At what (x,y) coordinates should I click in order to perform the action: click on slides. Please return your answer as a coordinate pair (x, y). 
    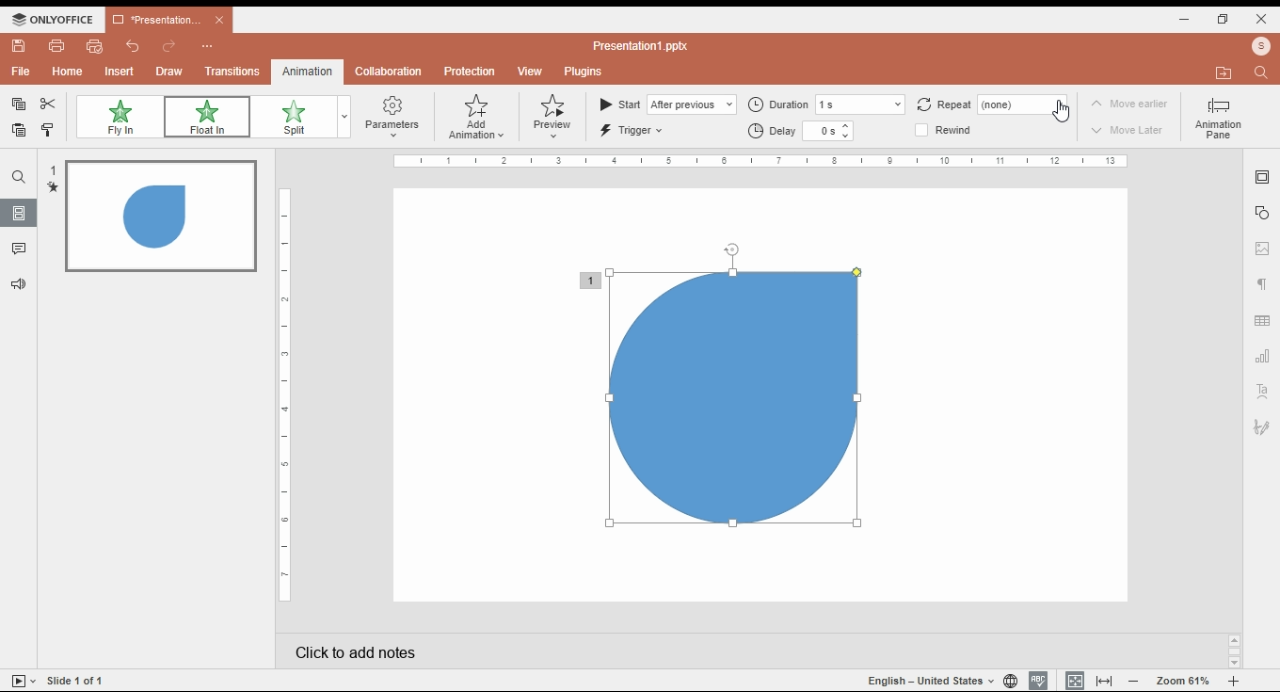
    Looking at the image, I should click on (21, 213).